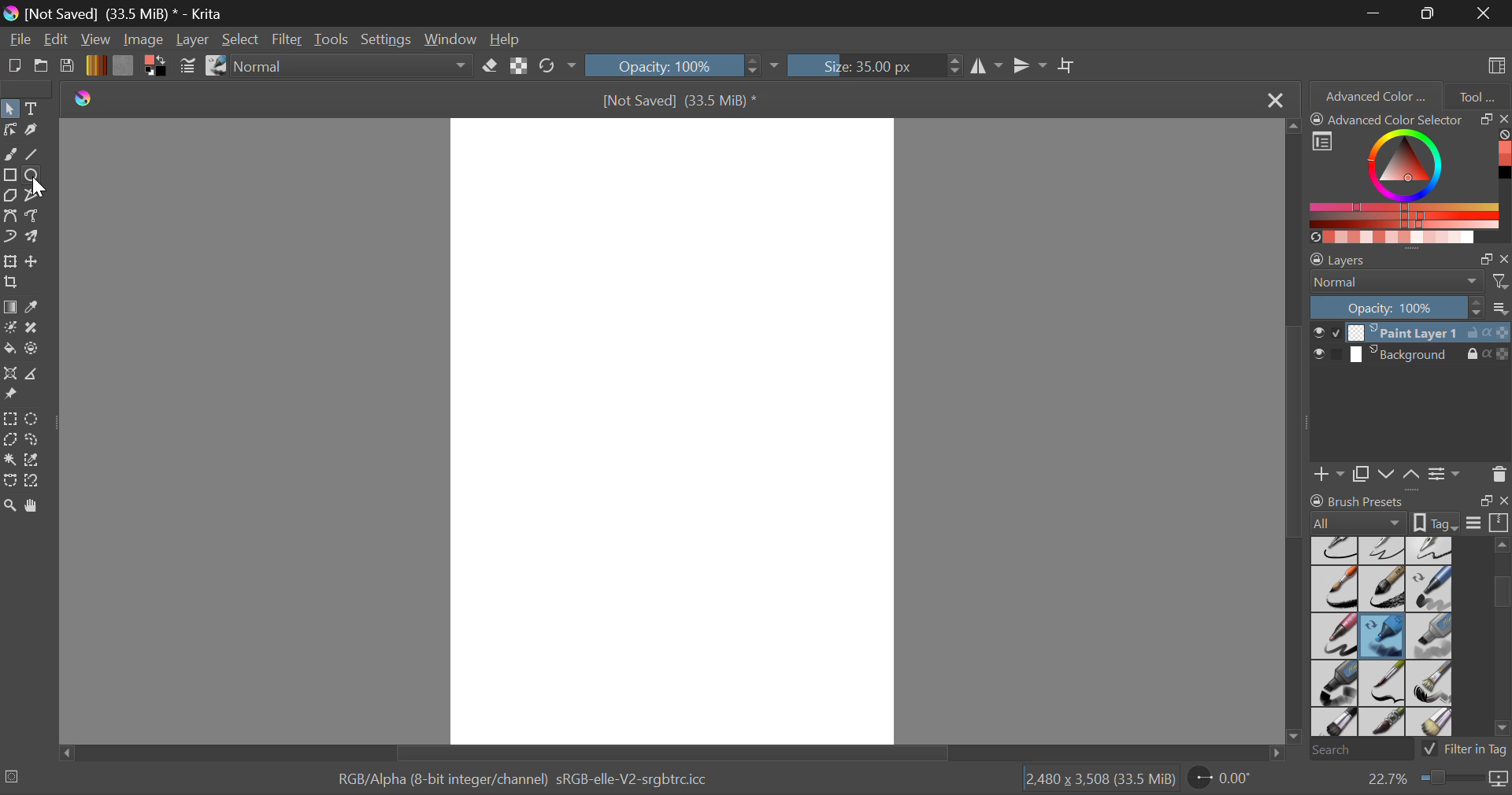  Describe the element at coordinates (1069, 66) in the screenshot. I see `Crop` at that location.